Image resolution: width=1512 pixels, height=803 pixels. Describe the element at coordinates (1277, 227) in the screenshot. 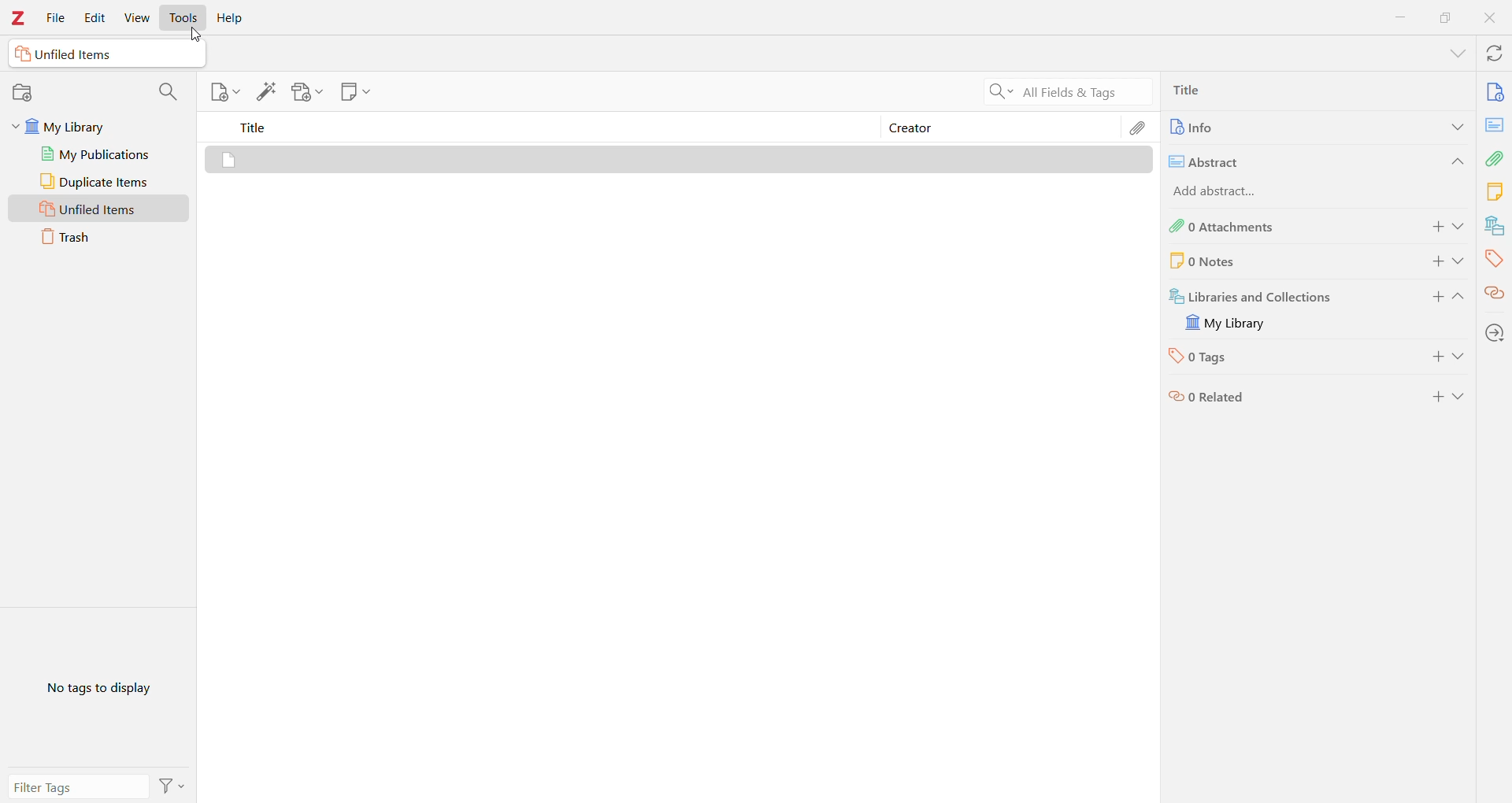

I see `0 Attachments` at that location.